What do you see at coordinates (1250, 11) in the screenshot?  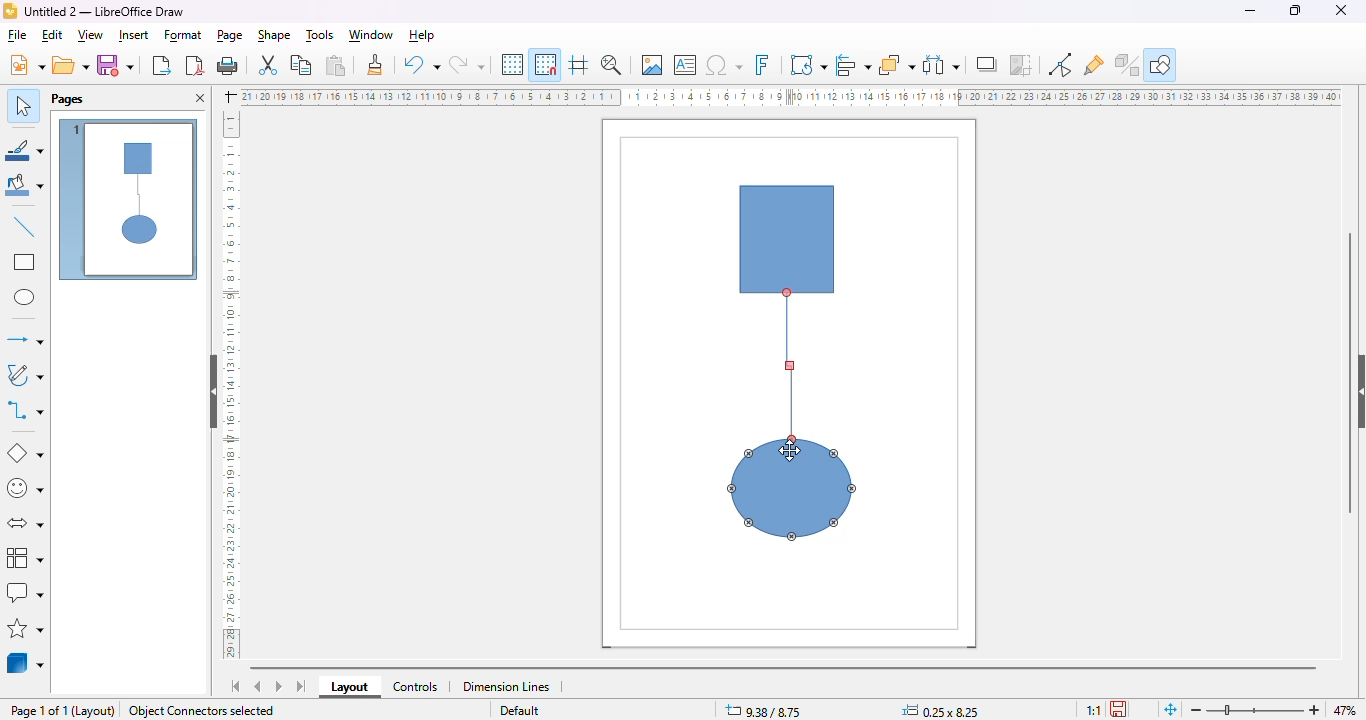 I see `minimize` at bounding box center [1250, 11].